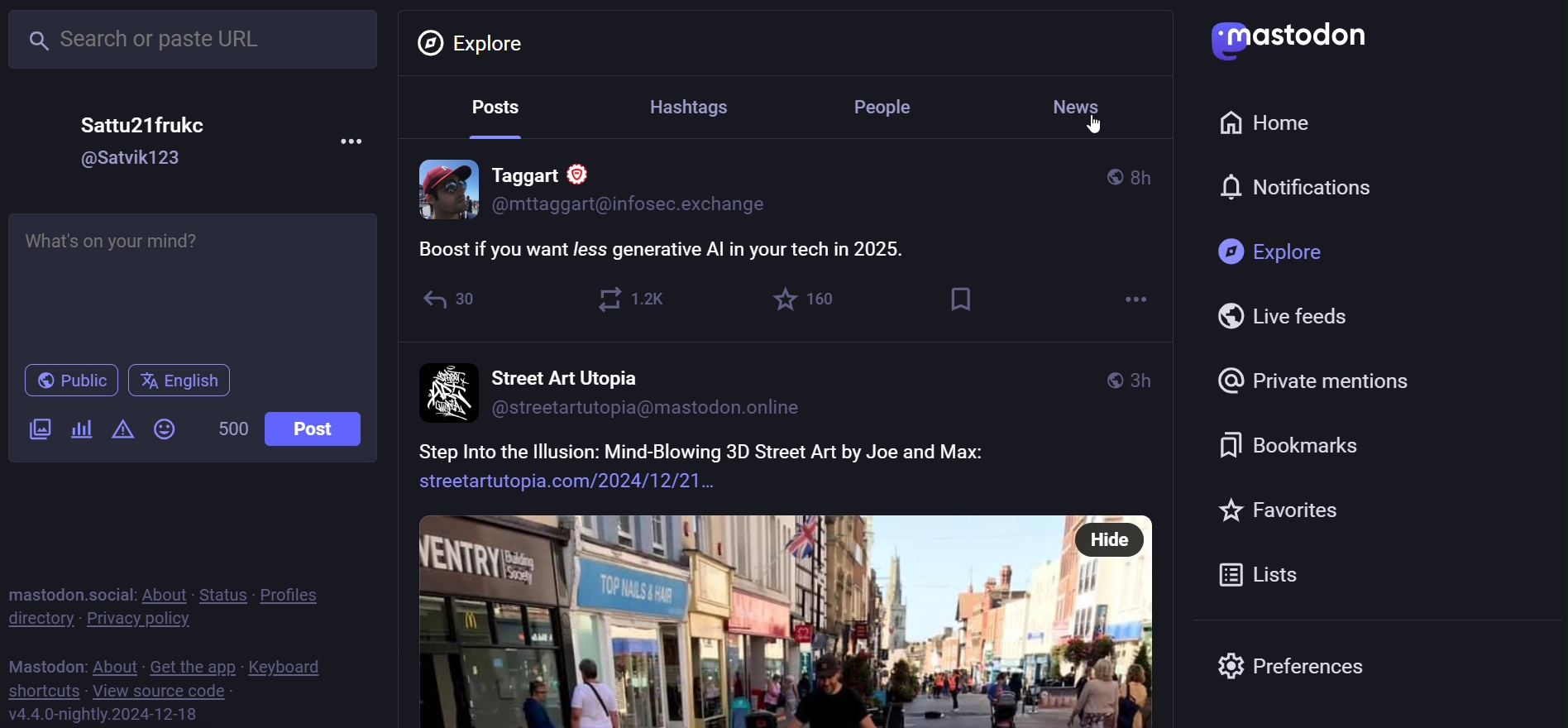 This screenshot has height=728, width=1568. Describe the element at coordinates (1291, 510) in the screenshot. I see `favorite` at that location.